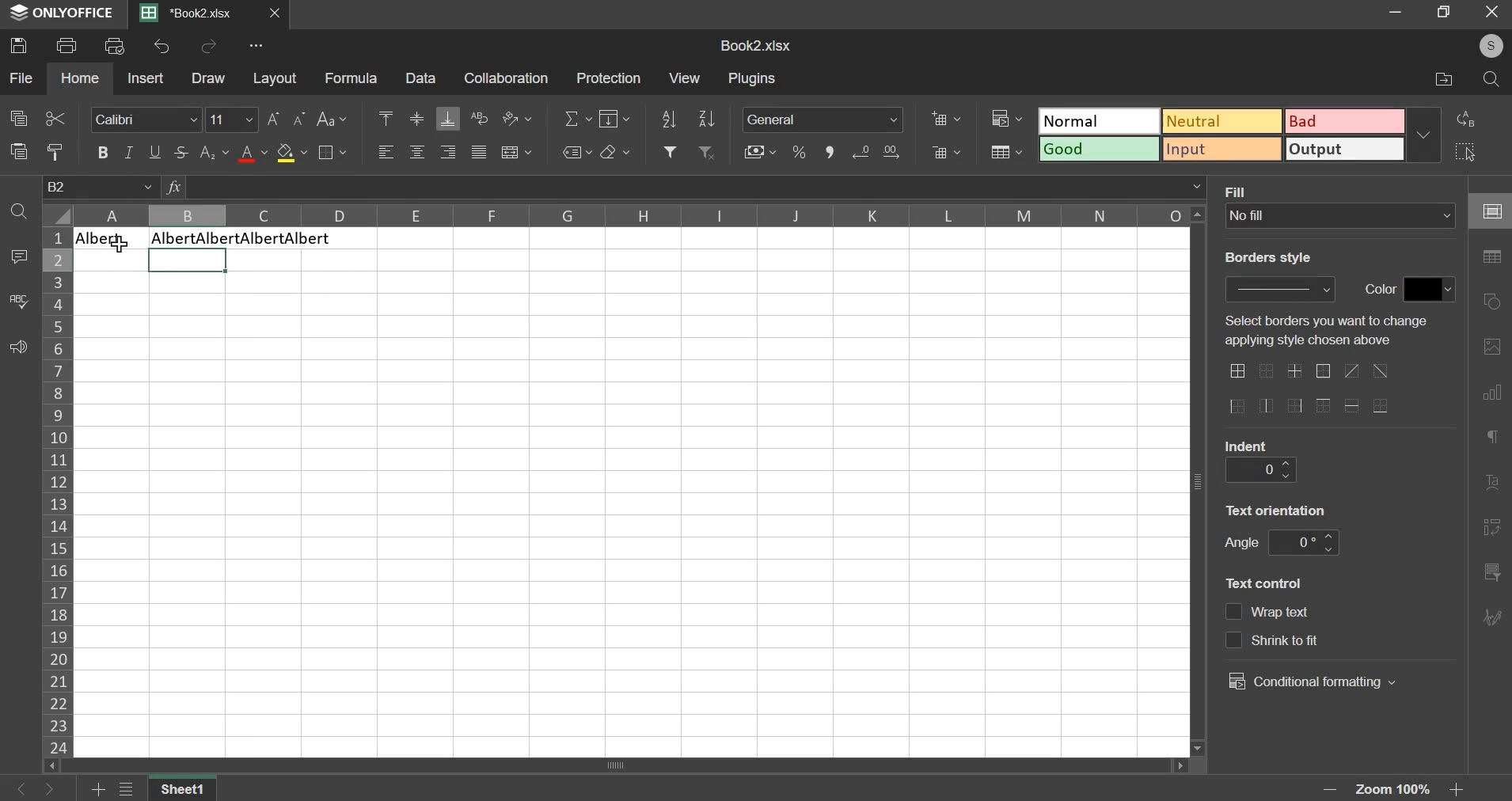  Describe the element at coordinates (1493, 257) in the screenshot. I see `table settings` at that location.